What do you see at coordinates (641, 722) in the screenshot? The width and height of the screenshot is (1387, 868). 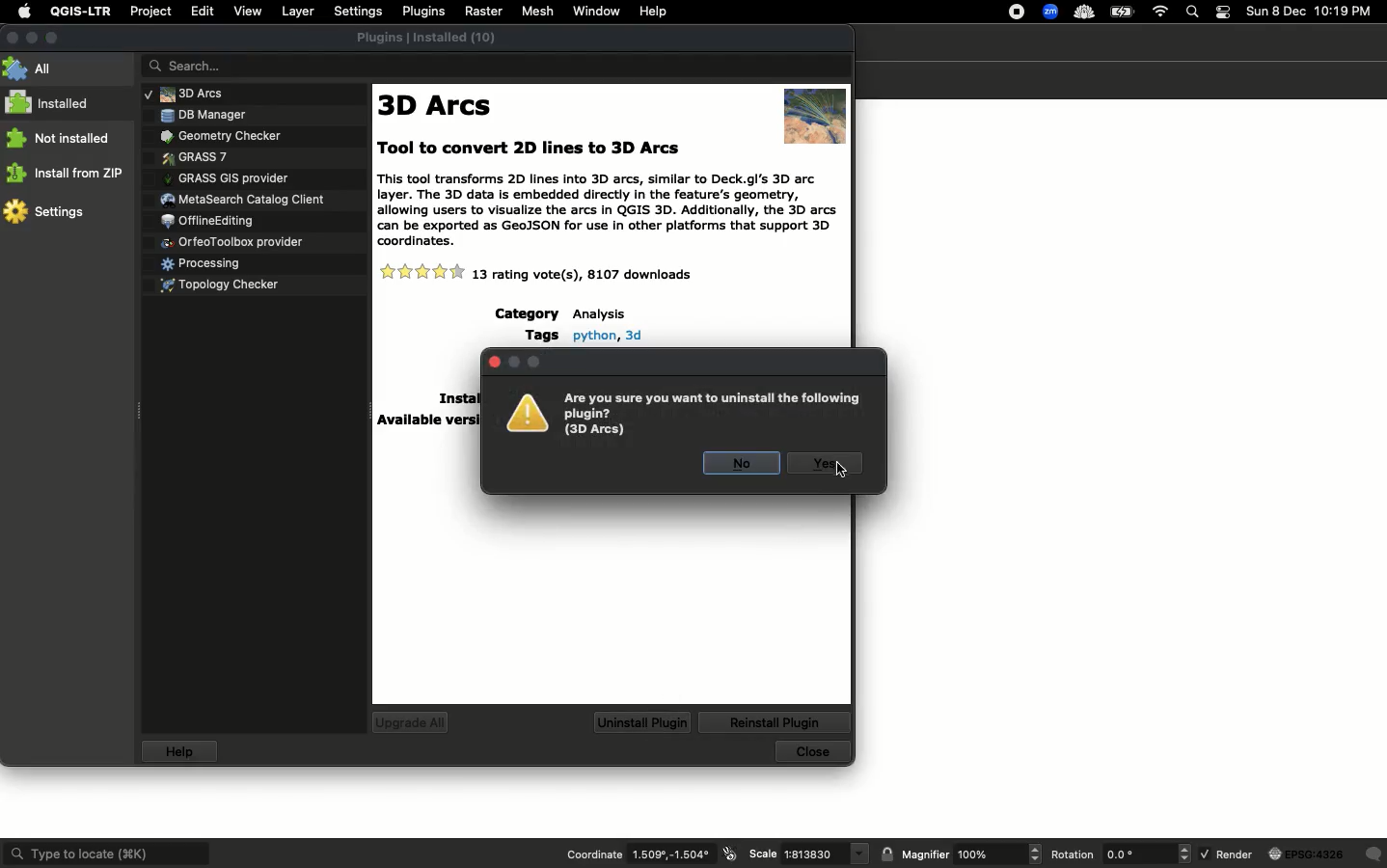 I see `Uninstall plugins` at bounding box center [641, 722].